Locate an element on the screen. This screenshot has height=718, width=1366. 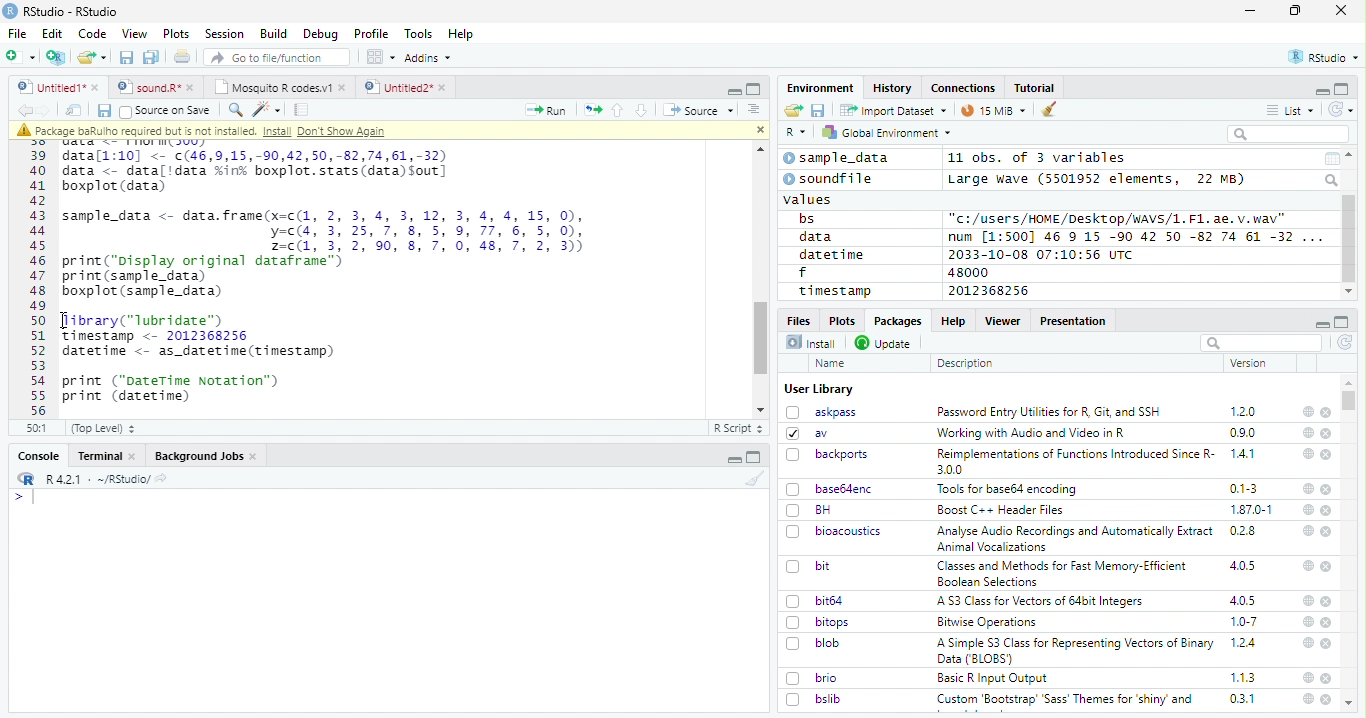
1.87.0-1 is located at coordinates (1251, 510).